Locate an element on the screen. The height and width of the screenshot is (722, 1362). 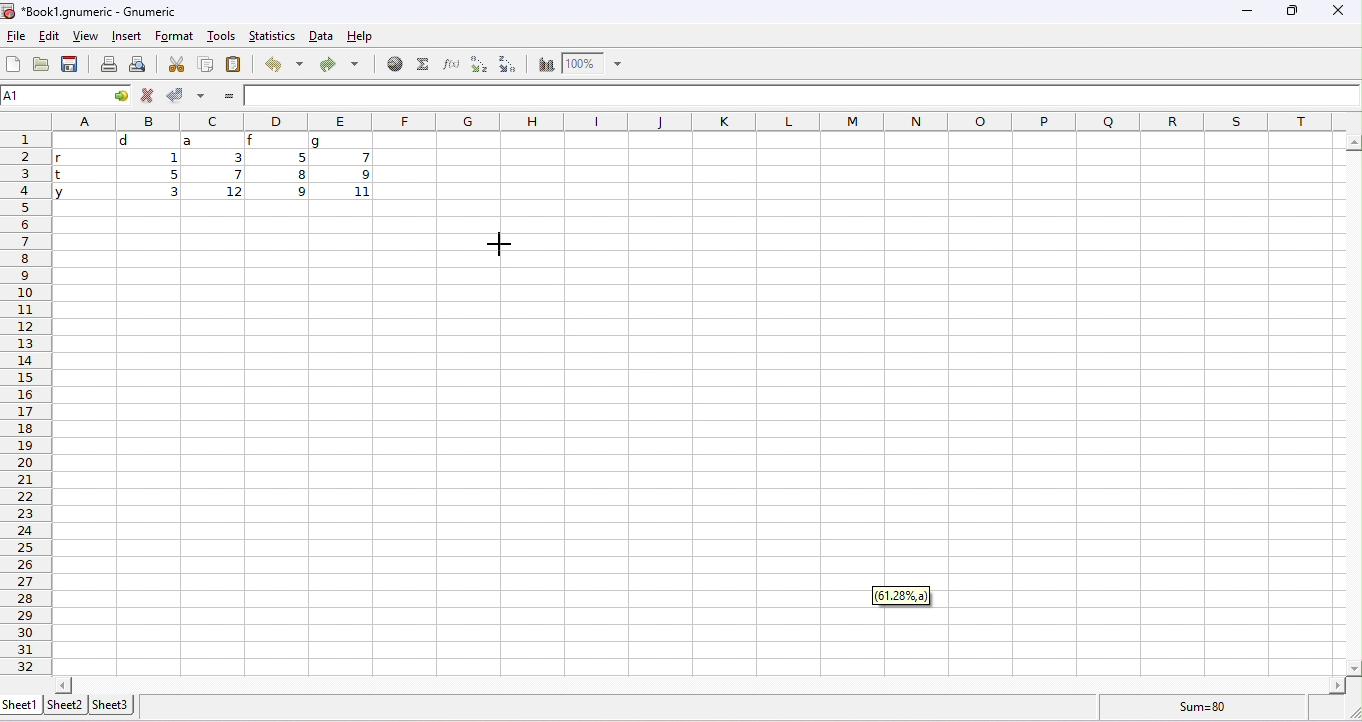
save is located at coordinates (70, 63).